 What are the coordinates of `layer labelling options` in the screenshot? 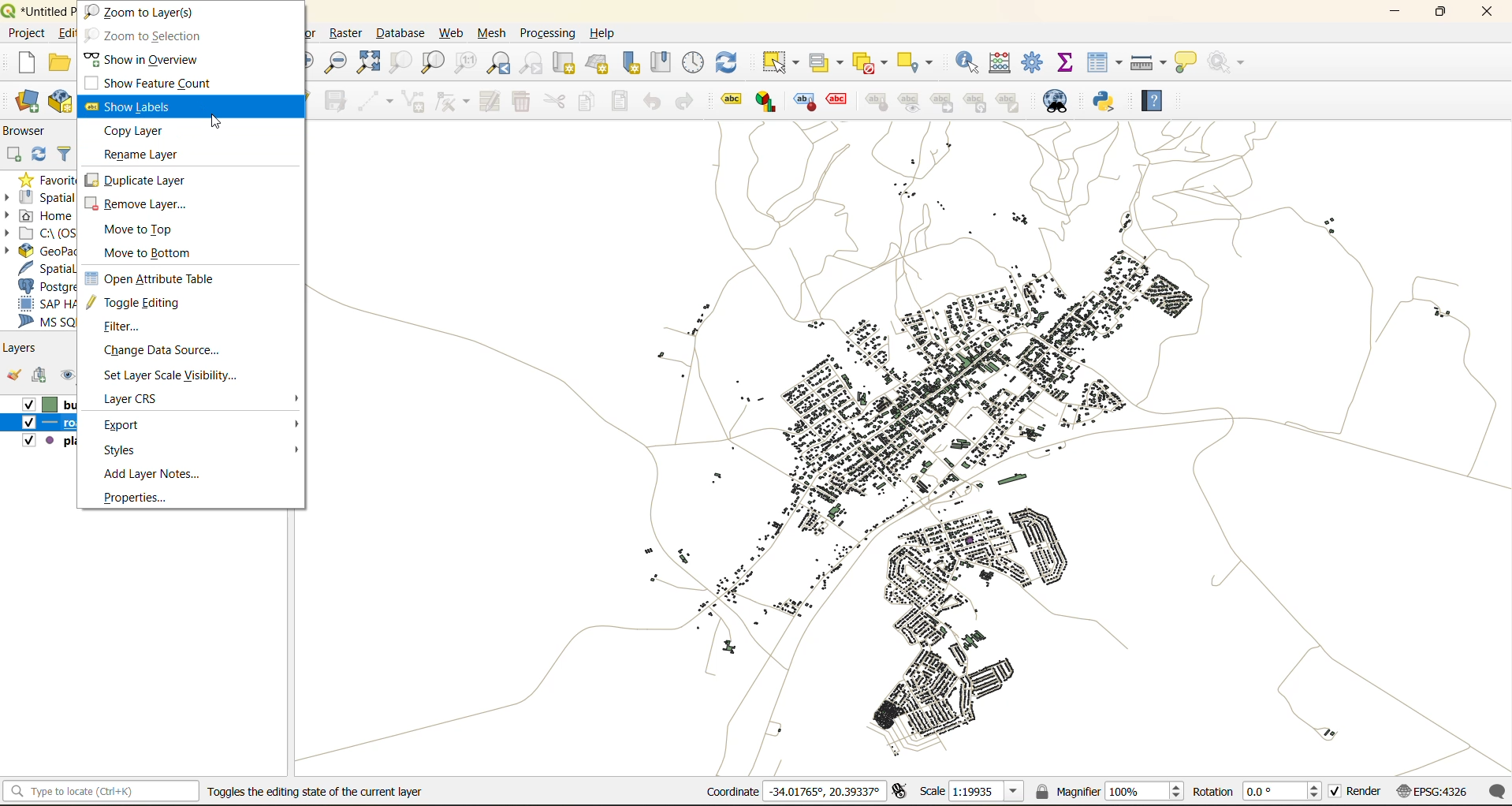 It's located at (731, 102).